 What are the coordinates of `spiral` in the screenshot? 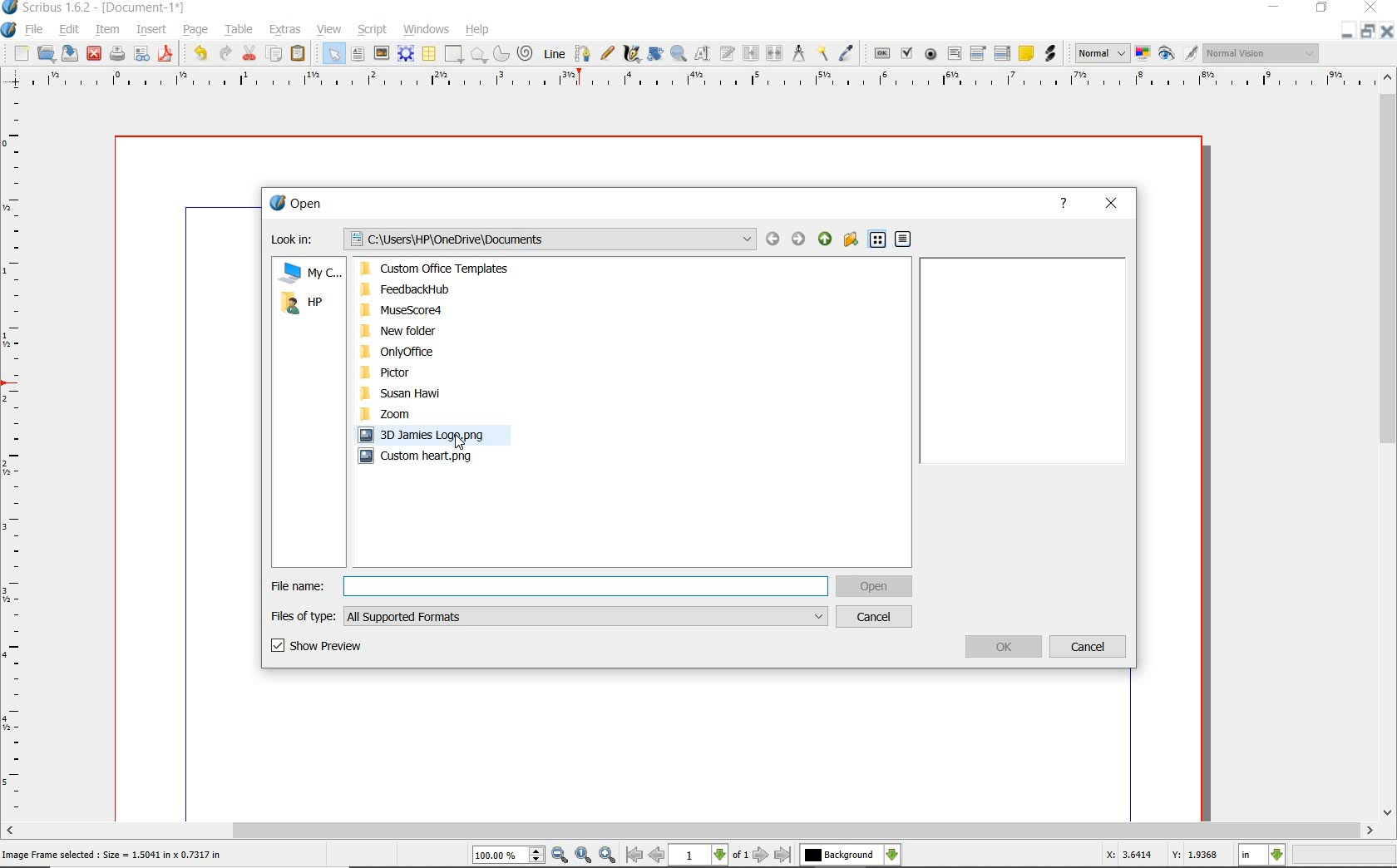 It's located at (526, 54).